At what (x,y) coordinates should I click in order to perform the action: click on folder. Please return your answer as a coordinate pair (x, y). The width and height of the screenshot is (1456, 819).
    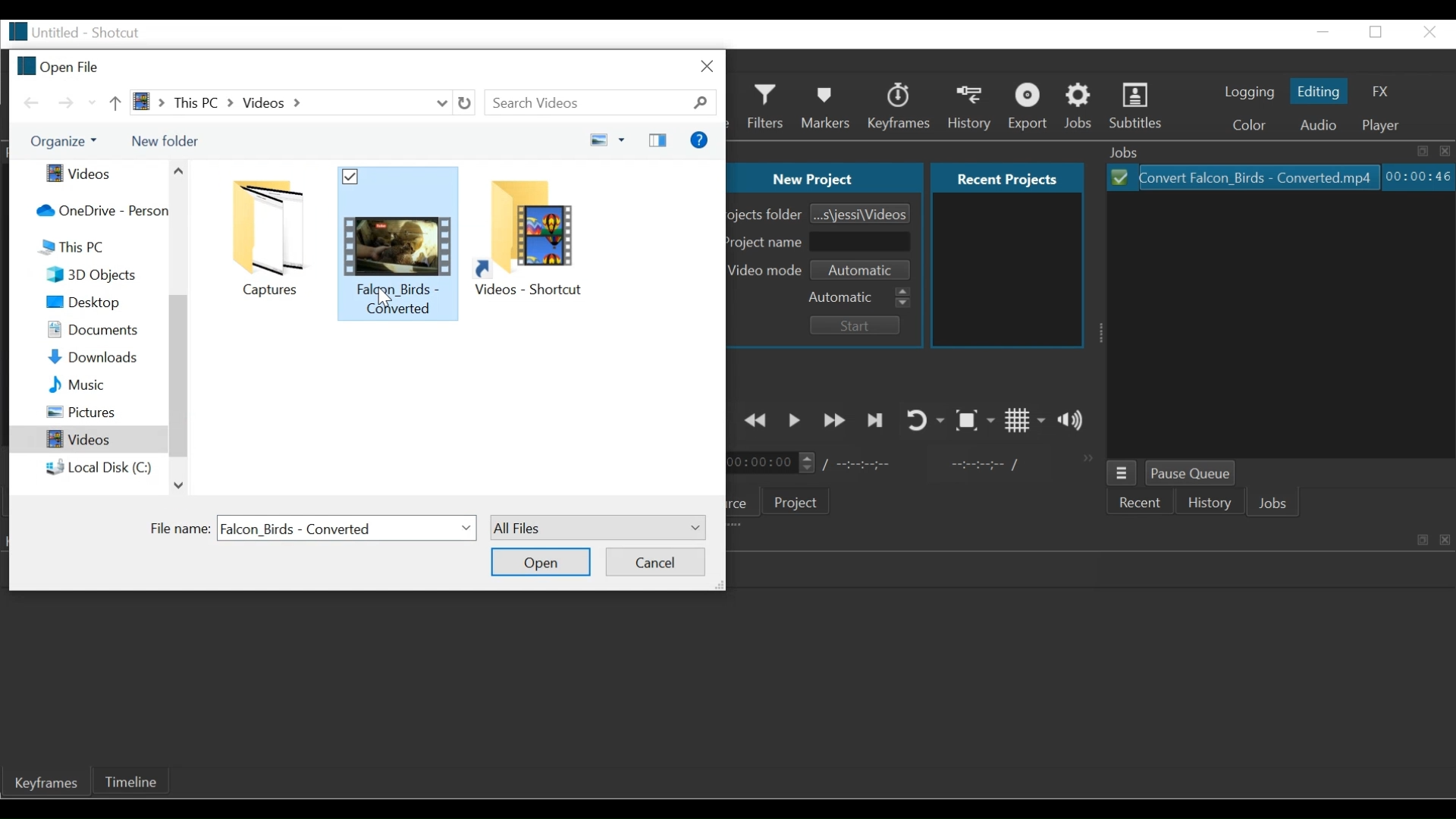
    Looking at the image, I should click on (397, 243).